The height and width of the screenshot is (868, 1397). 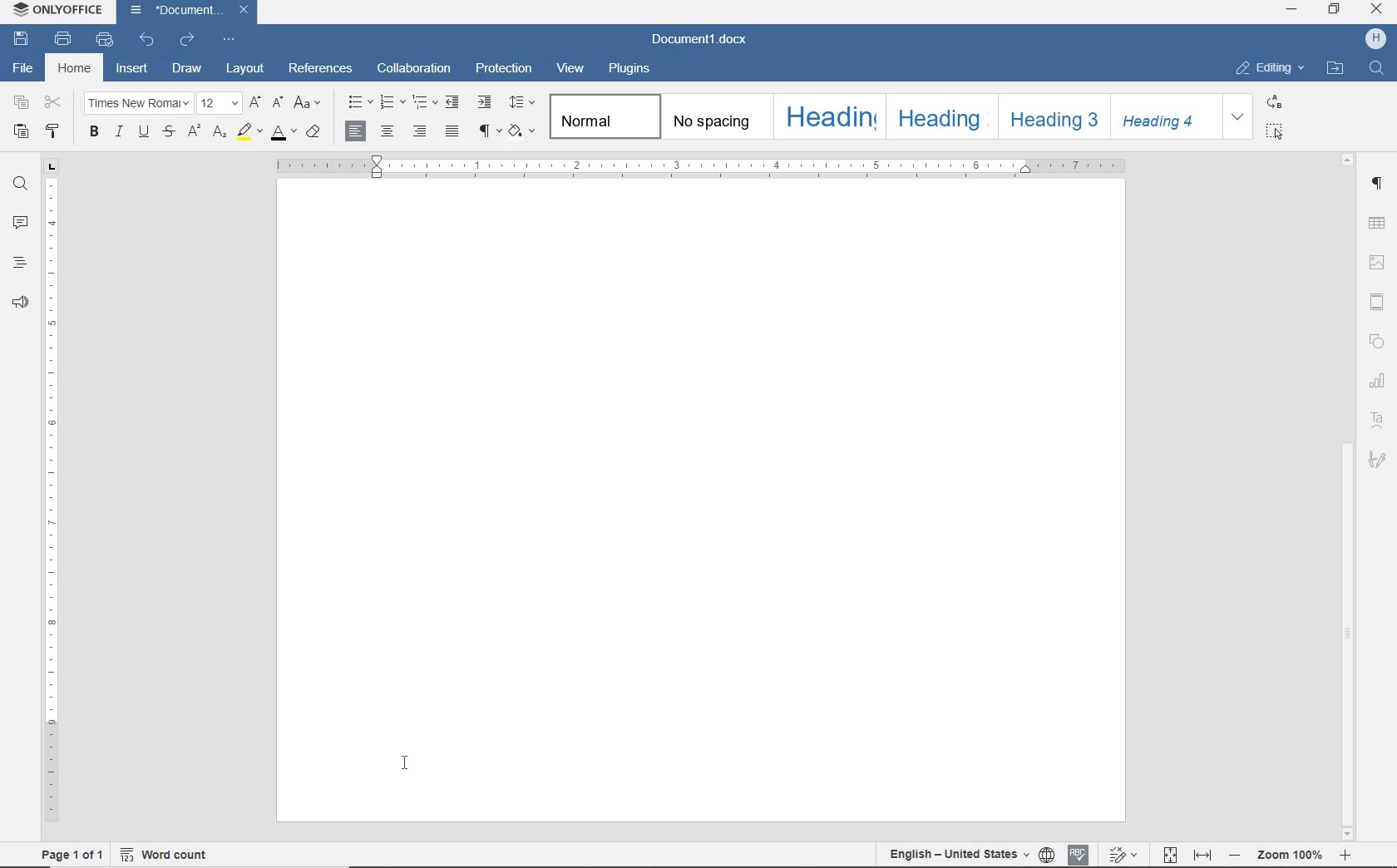 What do you see at coordinates (631, 70) in the screenshot?
I see `plugins` at bounding box center [631, 70].